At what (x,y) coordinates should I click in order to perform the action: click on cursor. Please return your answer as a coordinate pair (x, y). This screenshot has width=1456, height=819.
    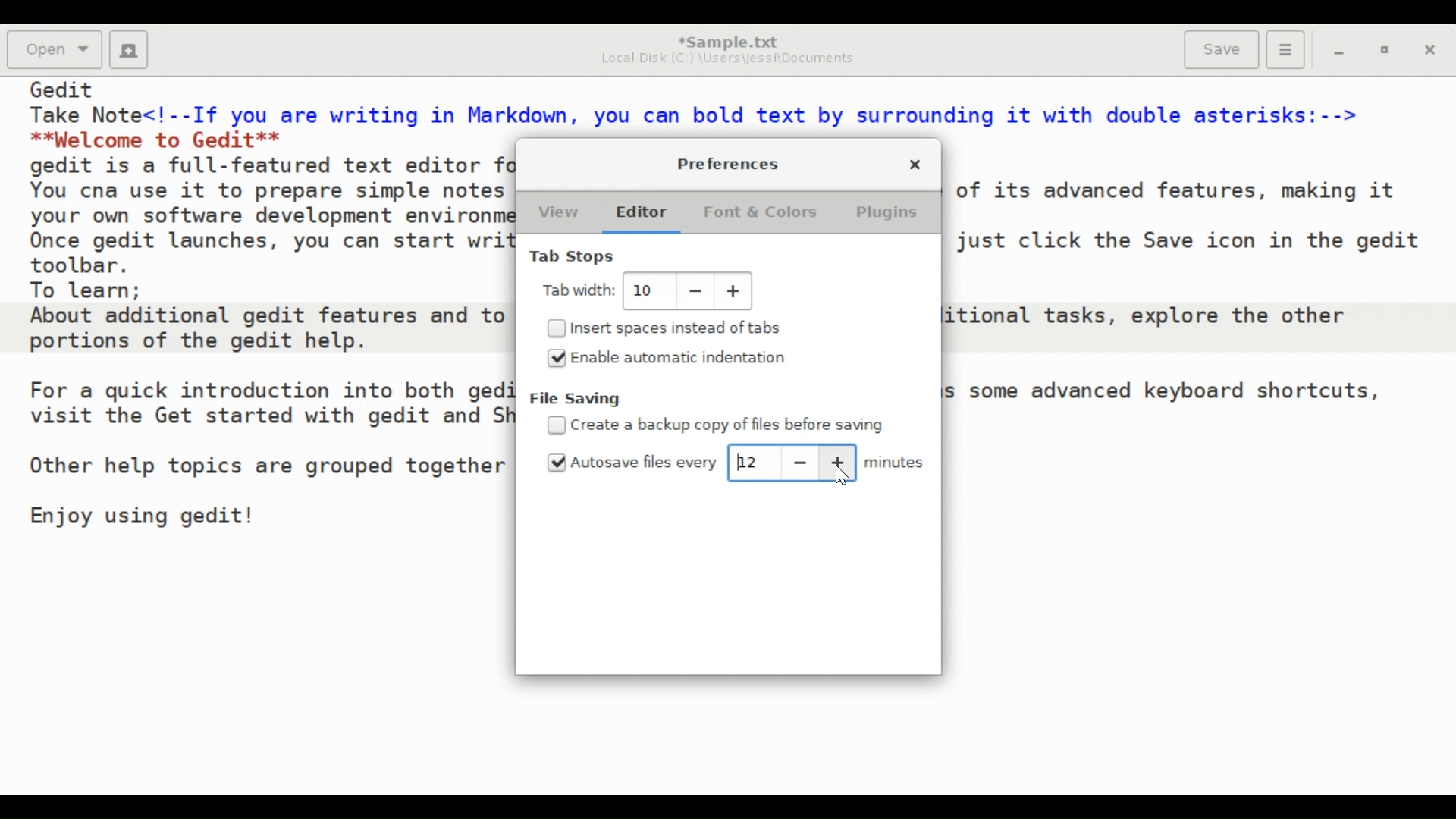
    Looking at the image, I should click on (841, 478).